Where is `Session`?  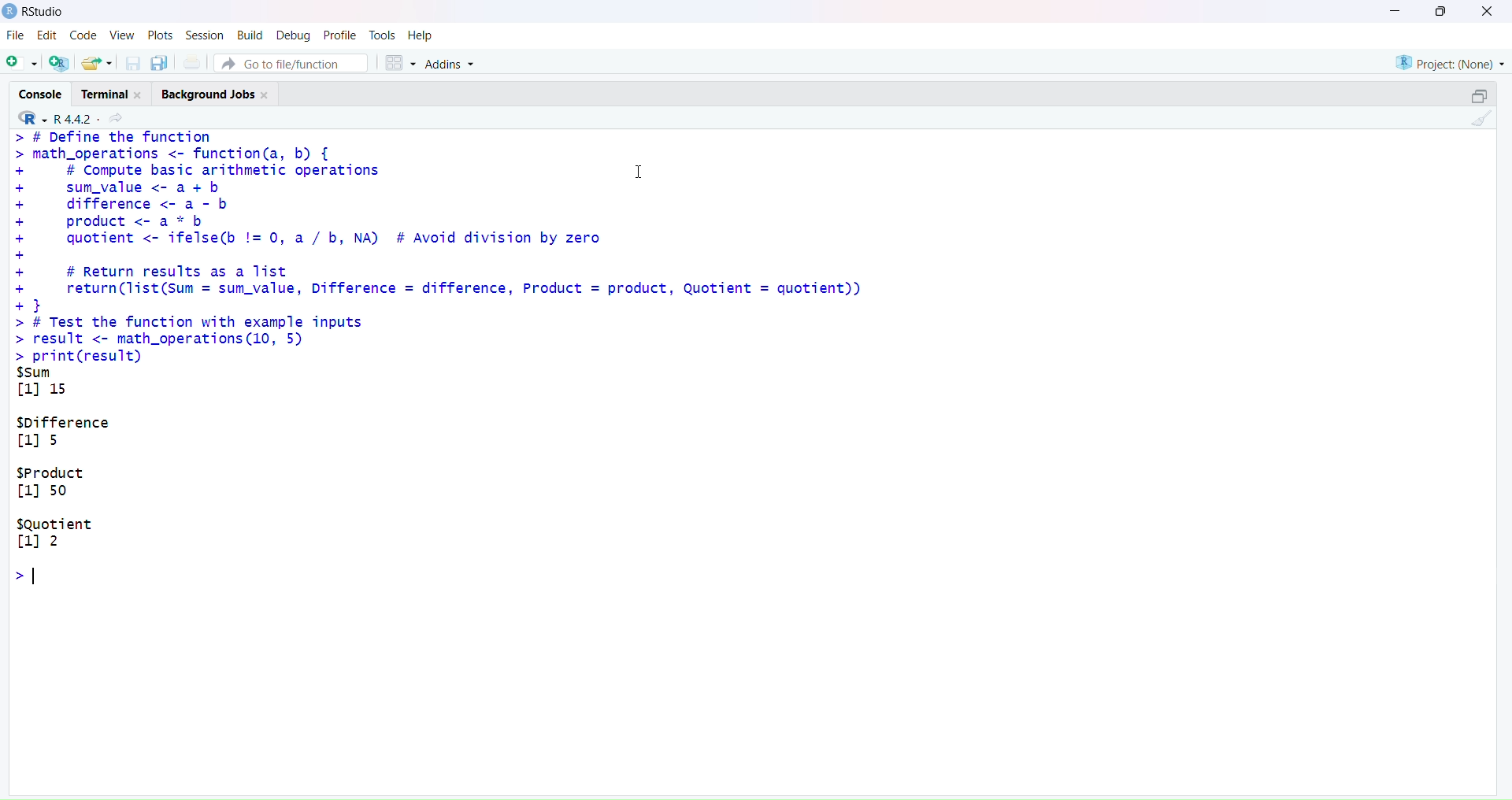 Session is located at coordinates (202, 32).